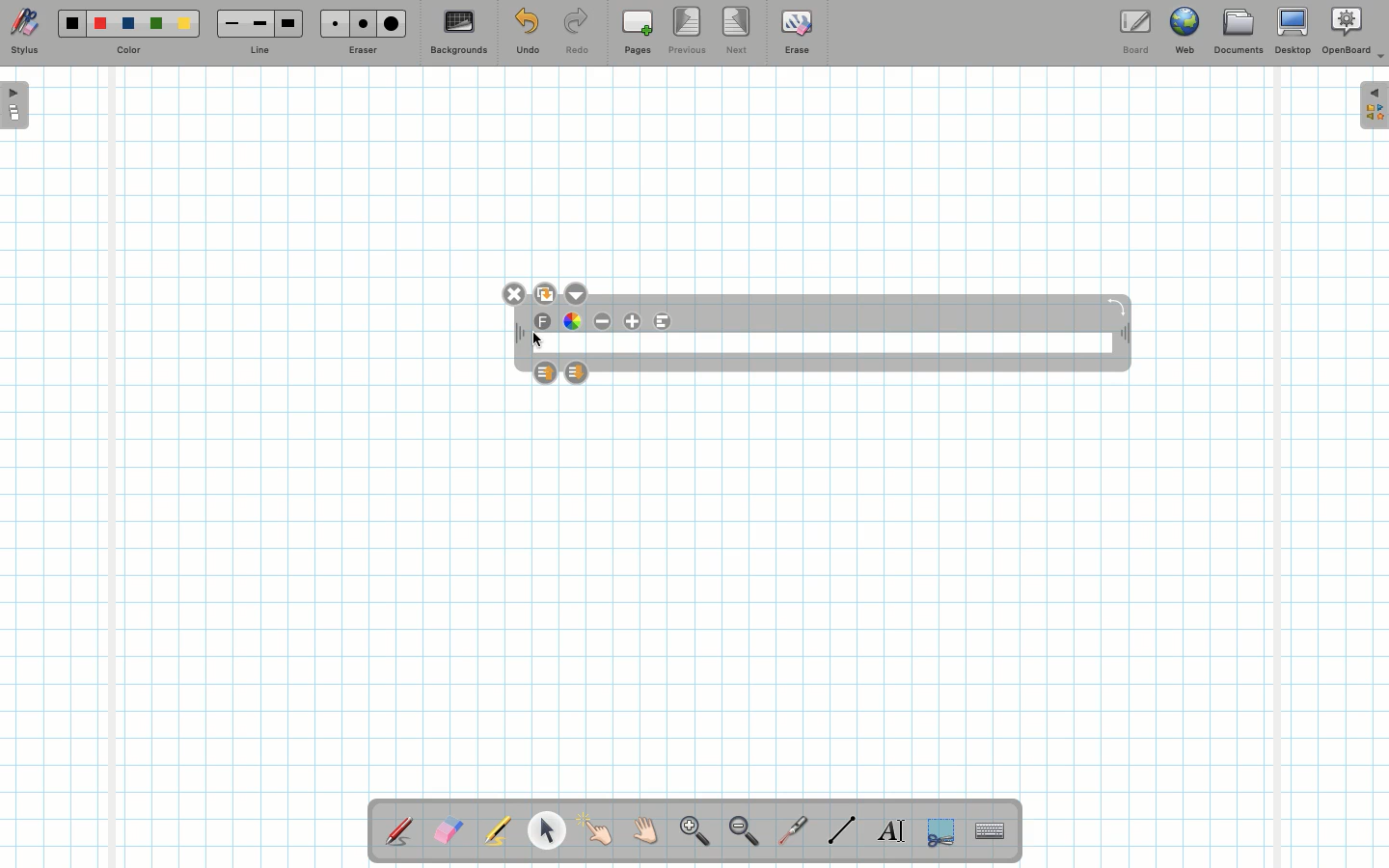 This screenshot has height=868, width=1389. What do you see at coordinates (129, 24) in the screenshot?
I see `Blue` at bounding box center [129, 24].